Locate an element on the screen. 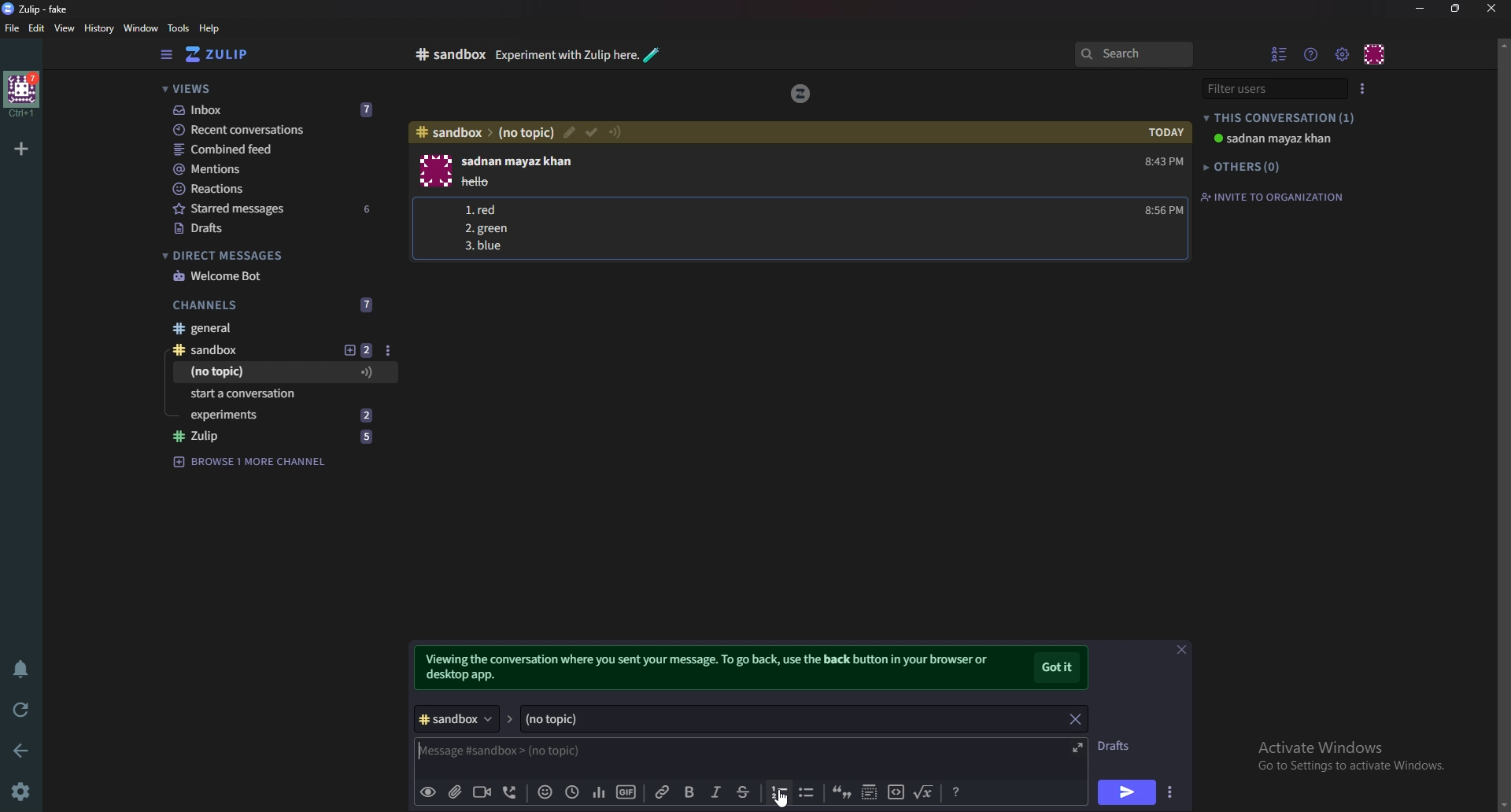 The height and width of the screenshot is (812, 1511). quote is located at coordinates (843, 794).